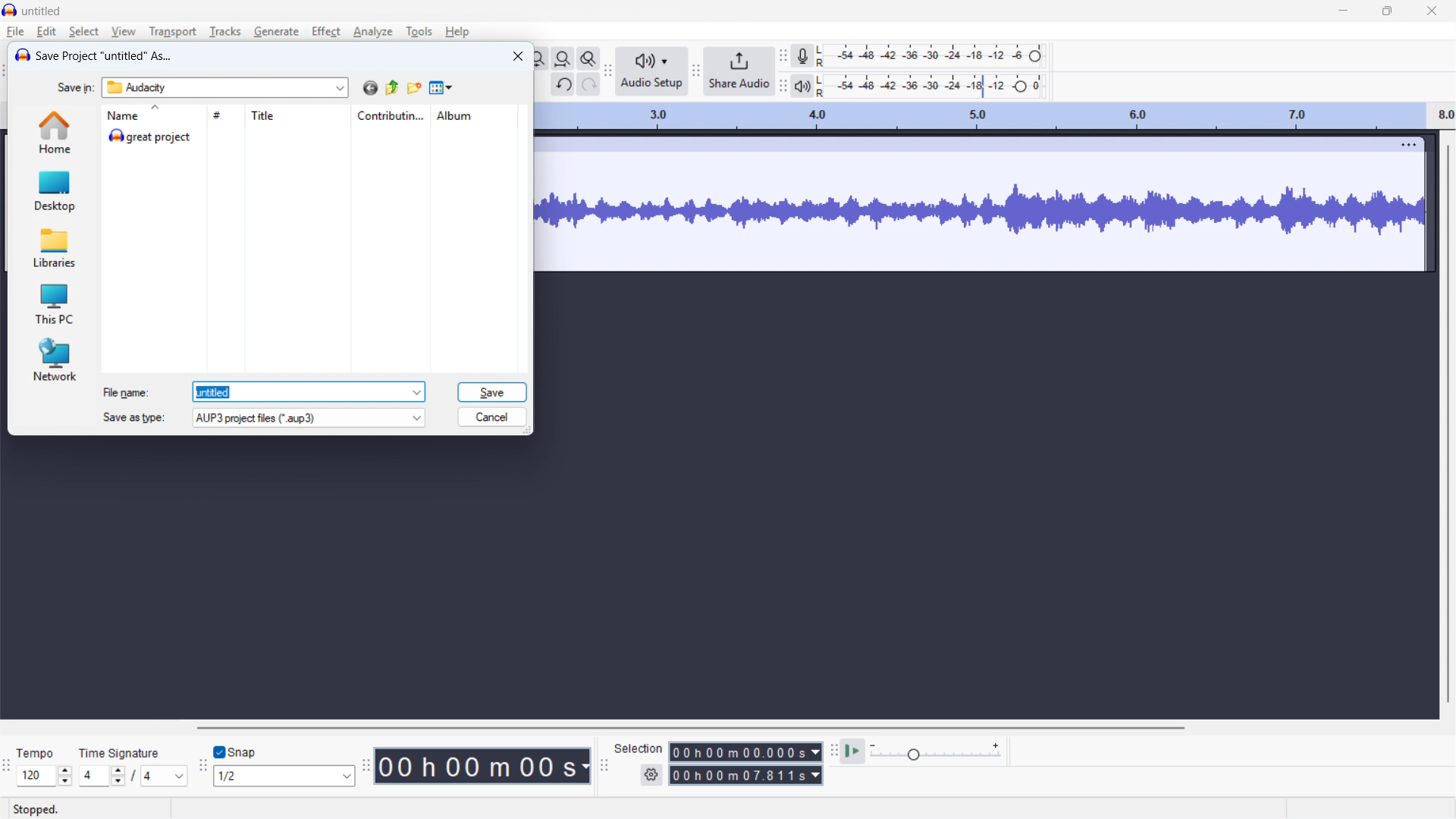 This screenshot has height=819, width=1456. I want to click on horizontal scrollbar, so click(689, 728).